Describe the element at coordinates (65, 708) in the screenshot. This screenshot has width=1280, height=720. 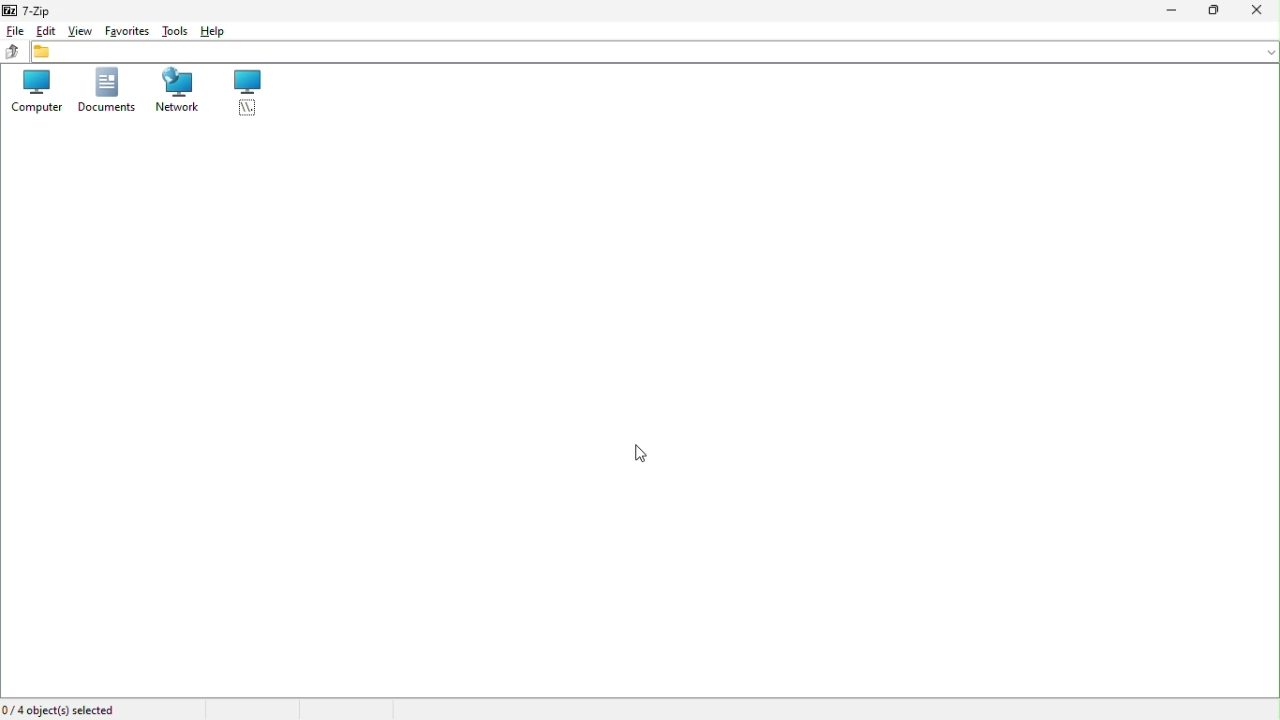
I see `Four object selected` at that location.